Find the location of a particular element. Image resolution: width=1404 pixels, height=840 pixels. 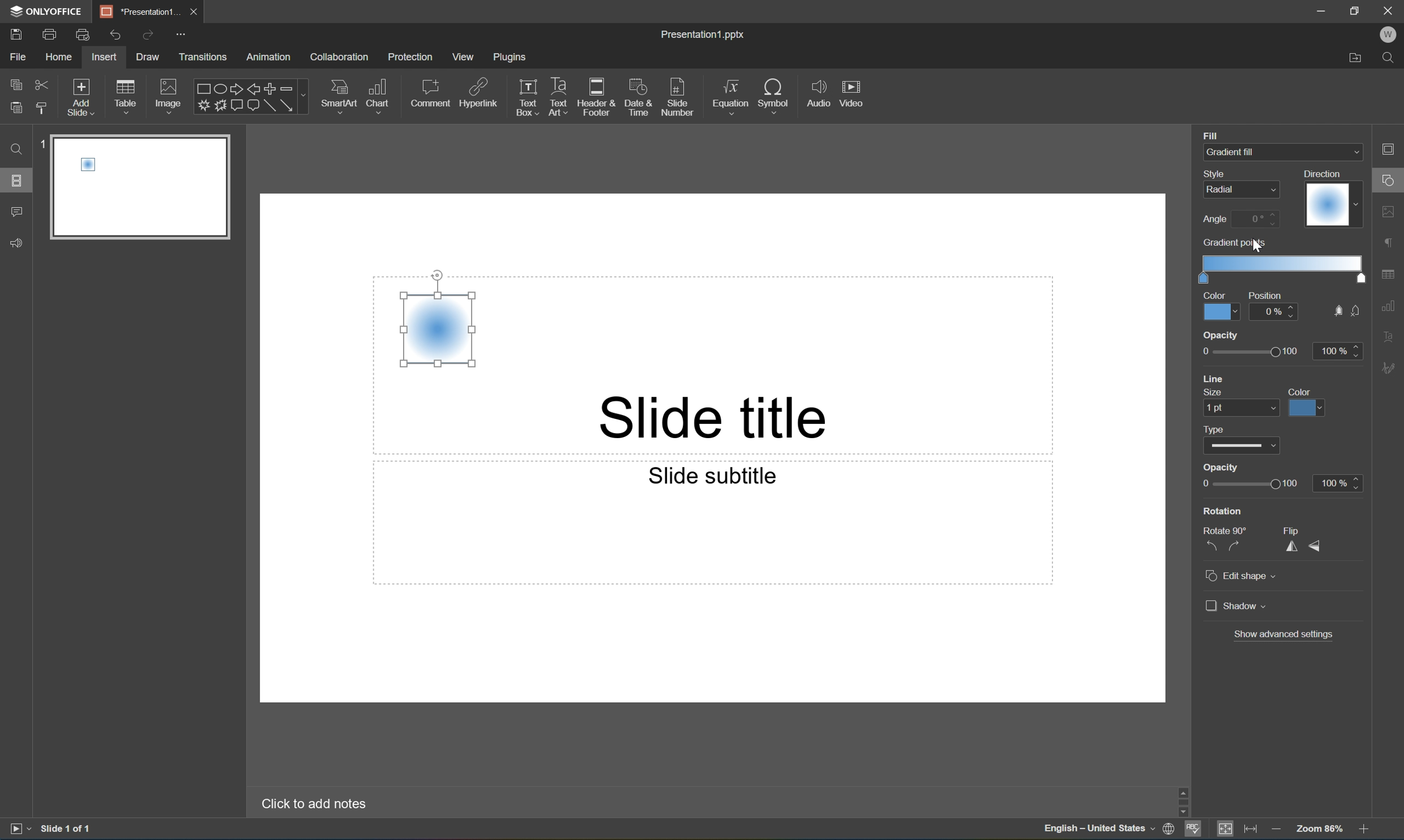

Radial is located at coordinates (1327, 204).